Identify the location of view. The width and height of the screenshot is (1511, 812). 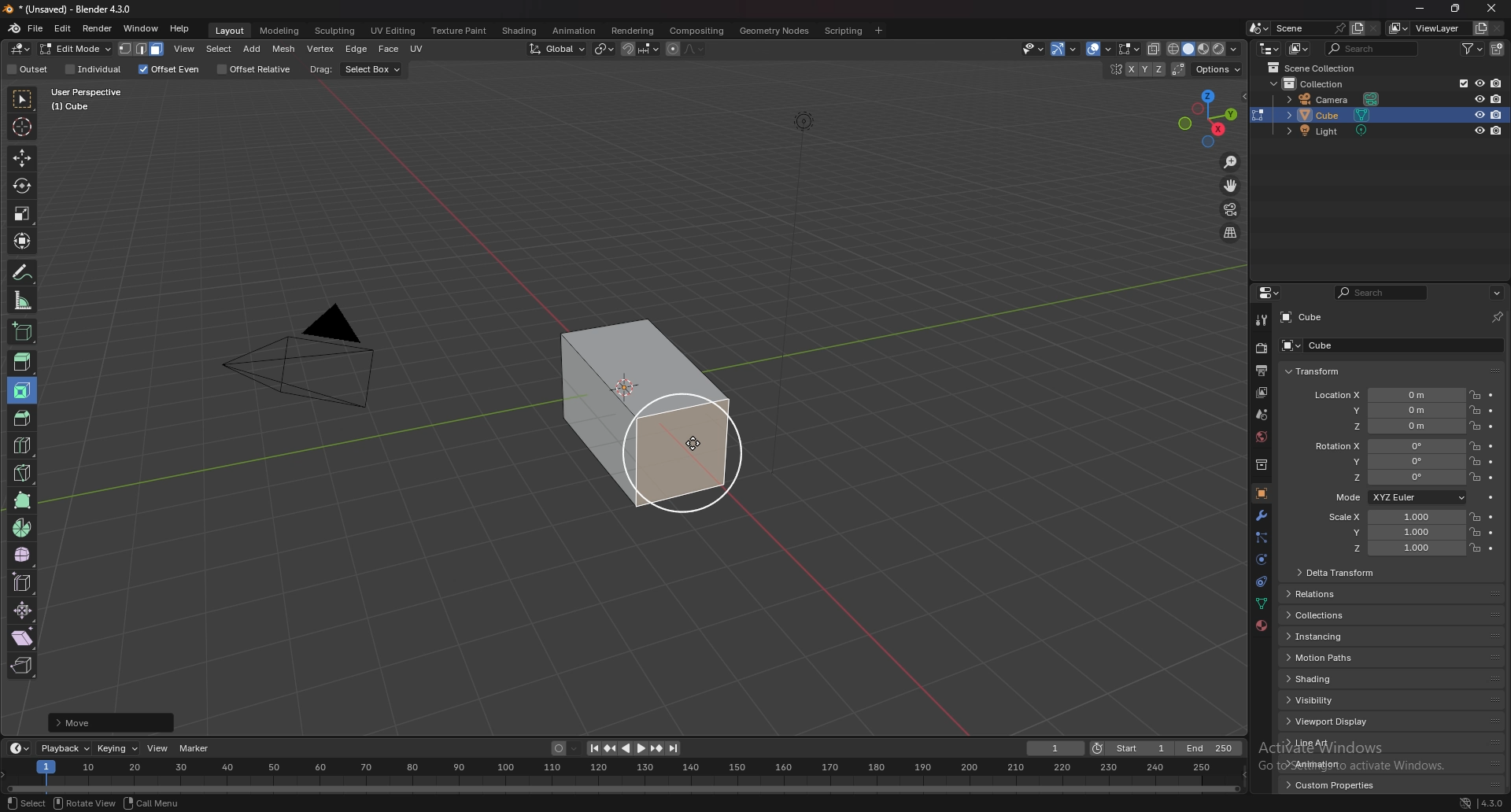
(157, 747).